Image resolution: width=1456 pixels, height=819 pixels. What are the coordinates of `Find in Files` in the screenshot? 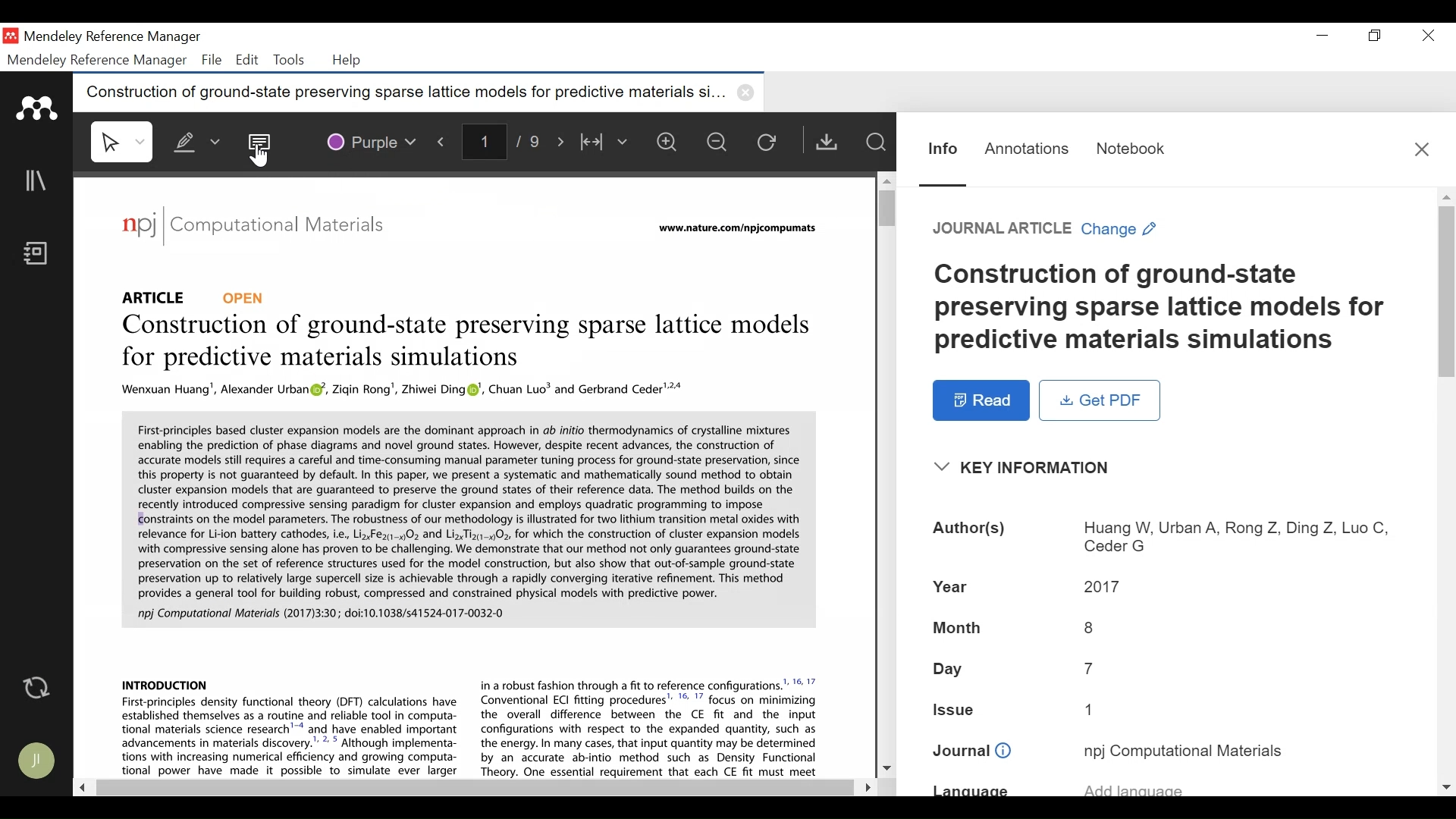 It's located at (877, 143).